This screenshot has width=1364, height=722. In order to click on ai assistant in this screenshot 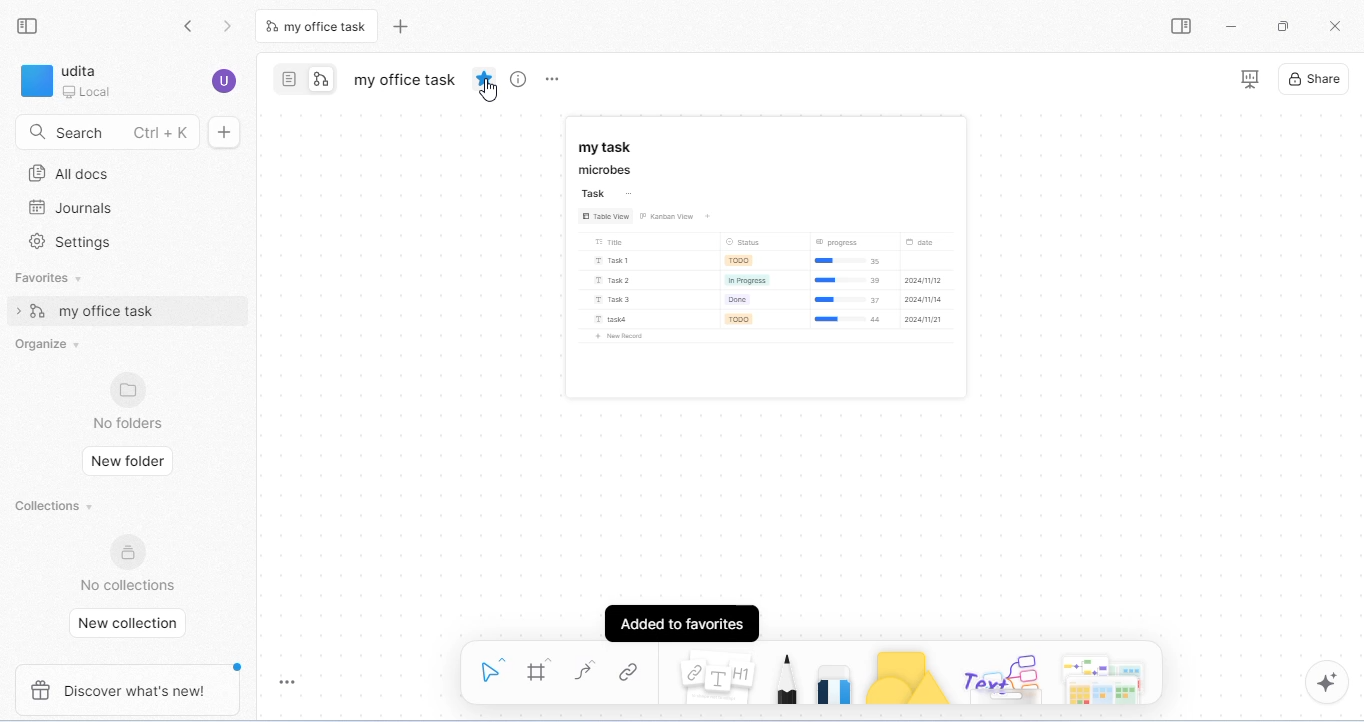, I will do `click(1327, 682)`.